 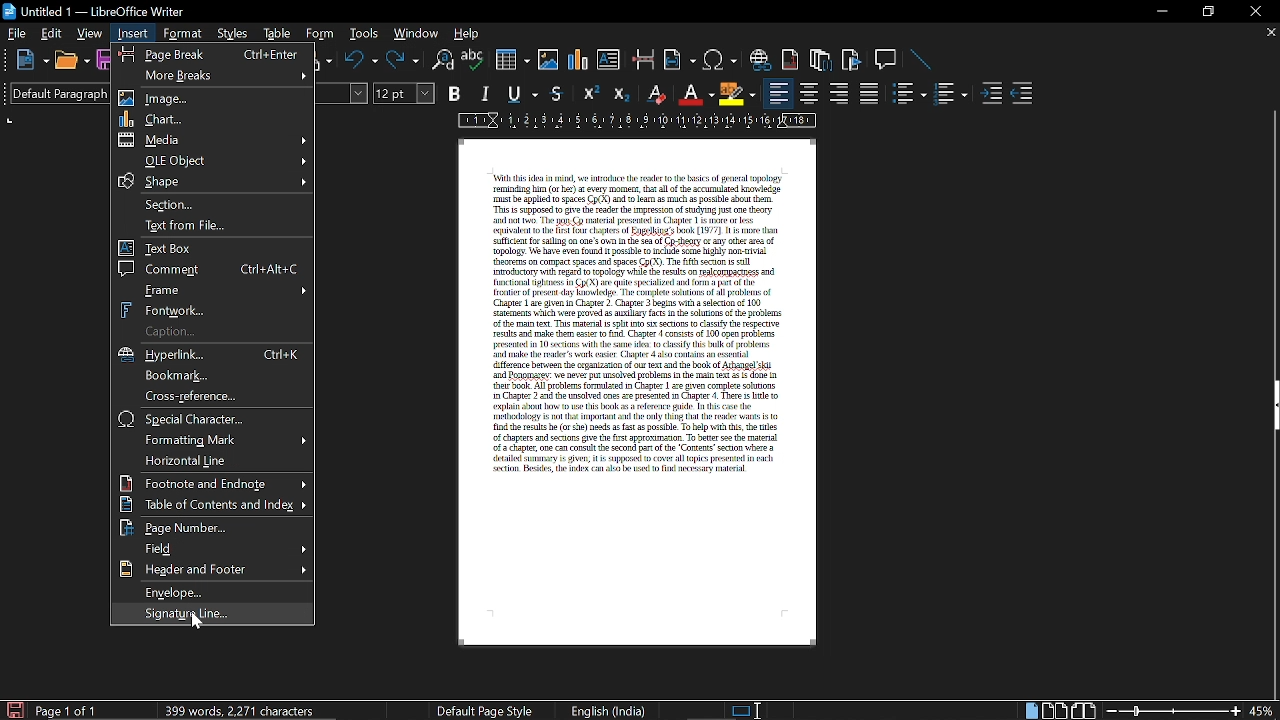 I want to click on formatting mark, so click(x=214, y=441).